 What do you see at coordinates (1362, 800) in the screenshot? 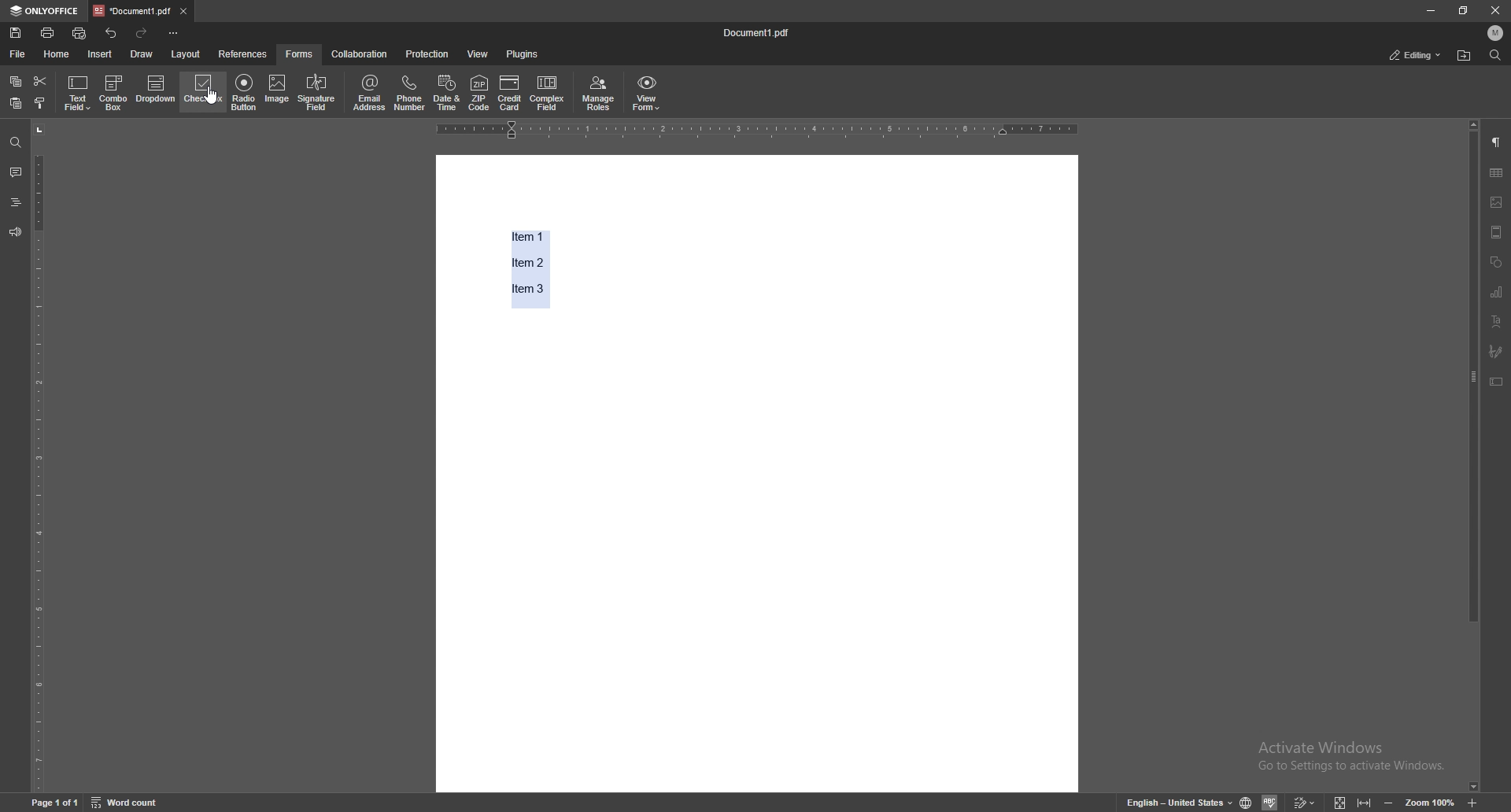
I see `fit to width` at bounding box center [1362, 800].